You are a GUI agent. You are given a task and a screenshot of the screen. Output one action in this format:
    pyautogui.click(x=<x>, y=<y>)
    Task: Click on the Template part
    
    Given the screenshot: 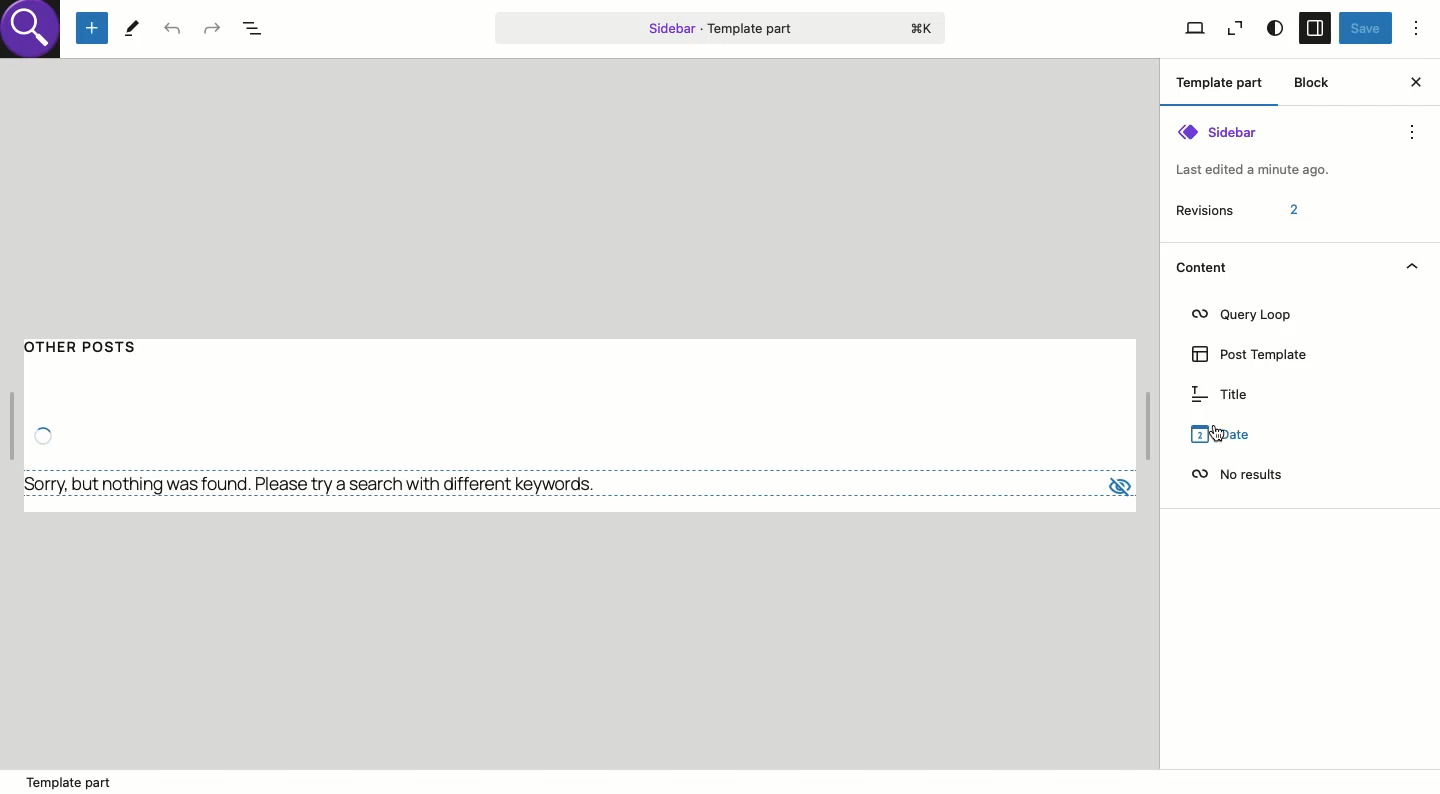 What is the action you would take?
    pyautogui.click(x=1224, y=85)
    